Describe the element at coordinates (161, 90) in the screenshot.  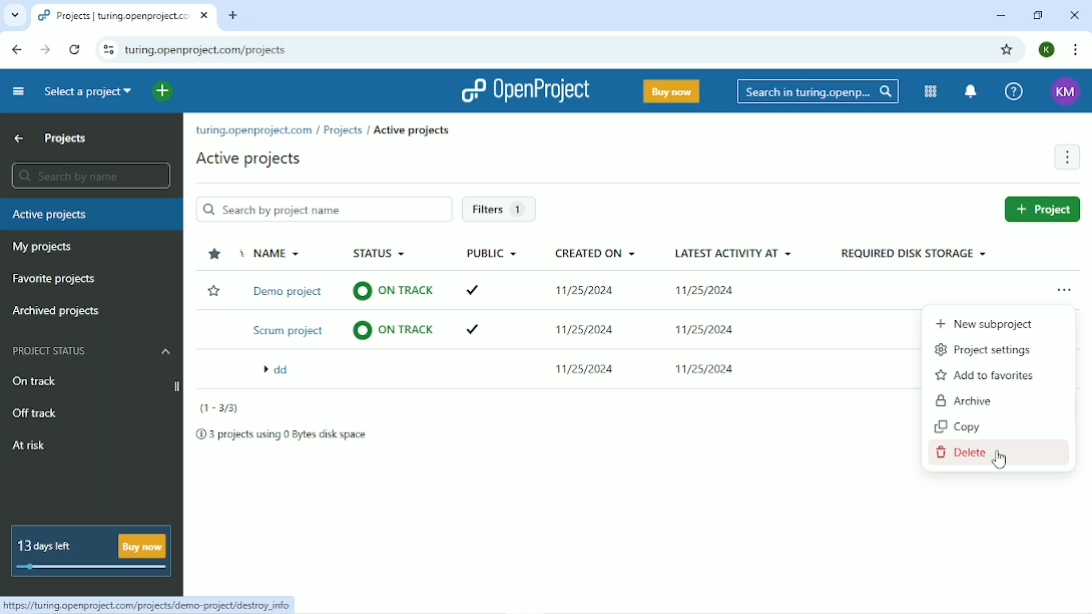
I see `Open quick add menu` at that location.